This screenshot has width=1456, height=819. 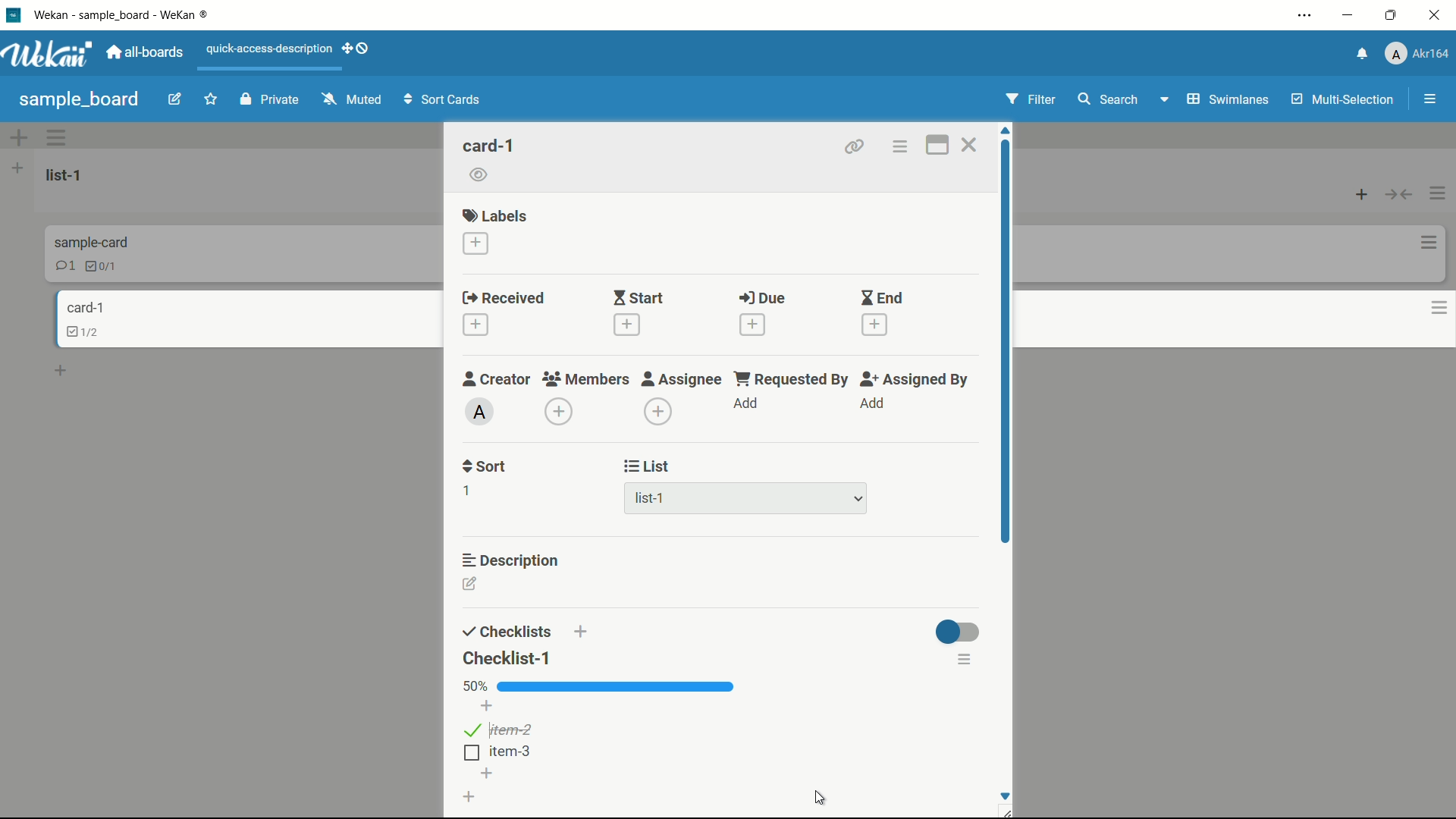 I want to click on close card, so click(x=971, y=147).